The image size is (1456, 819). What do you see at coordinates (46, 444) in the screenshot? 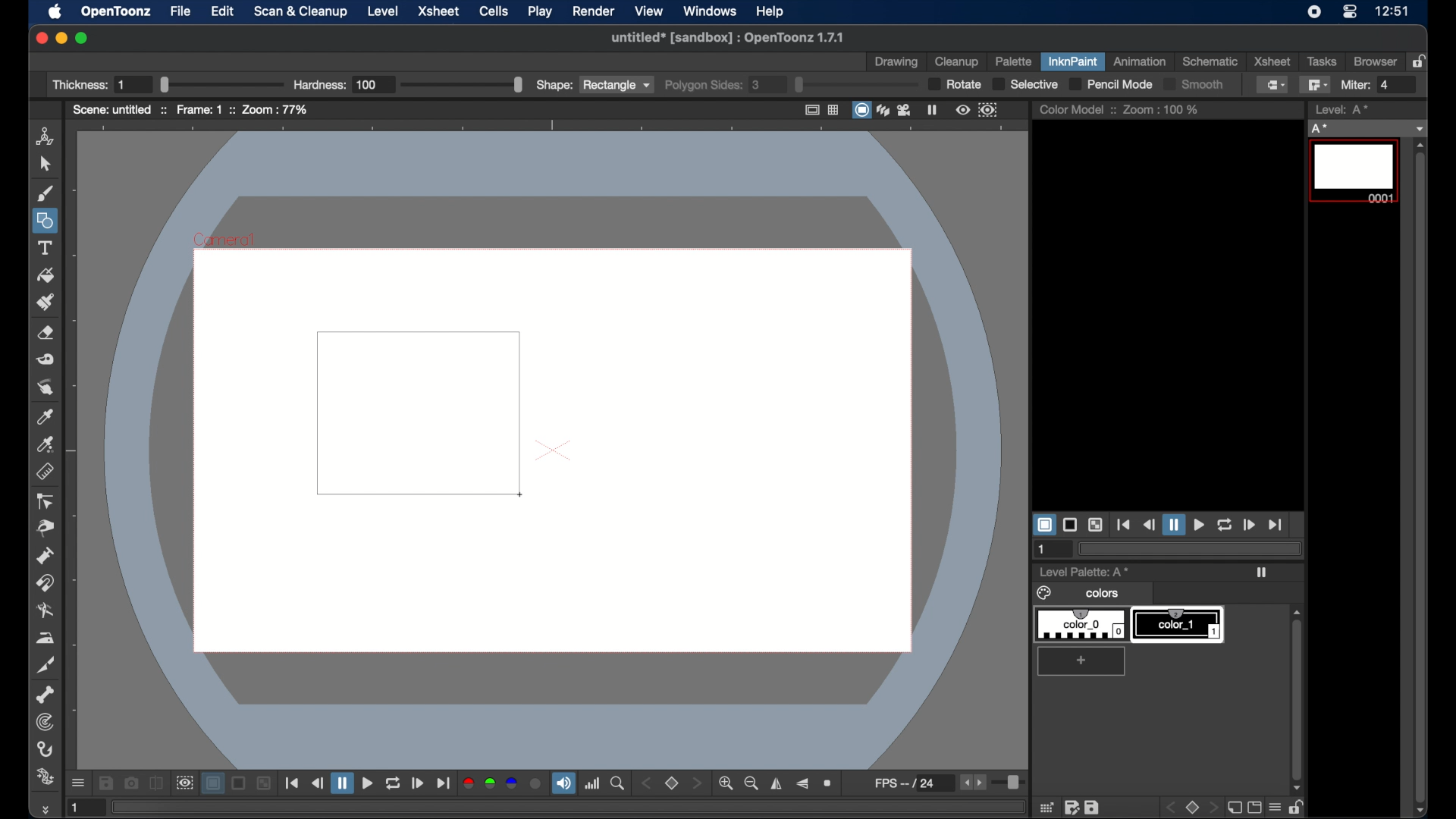
I see `picker tool` at bounding box center [46, 444].